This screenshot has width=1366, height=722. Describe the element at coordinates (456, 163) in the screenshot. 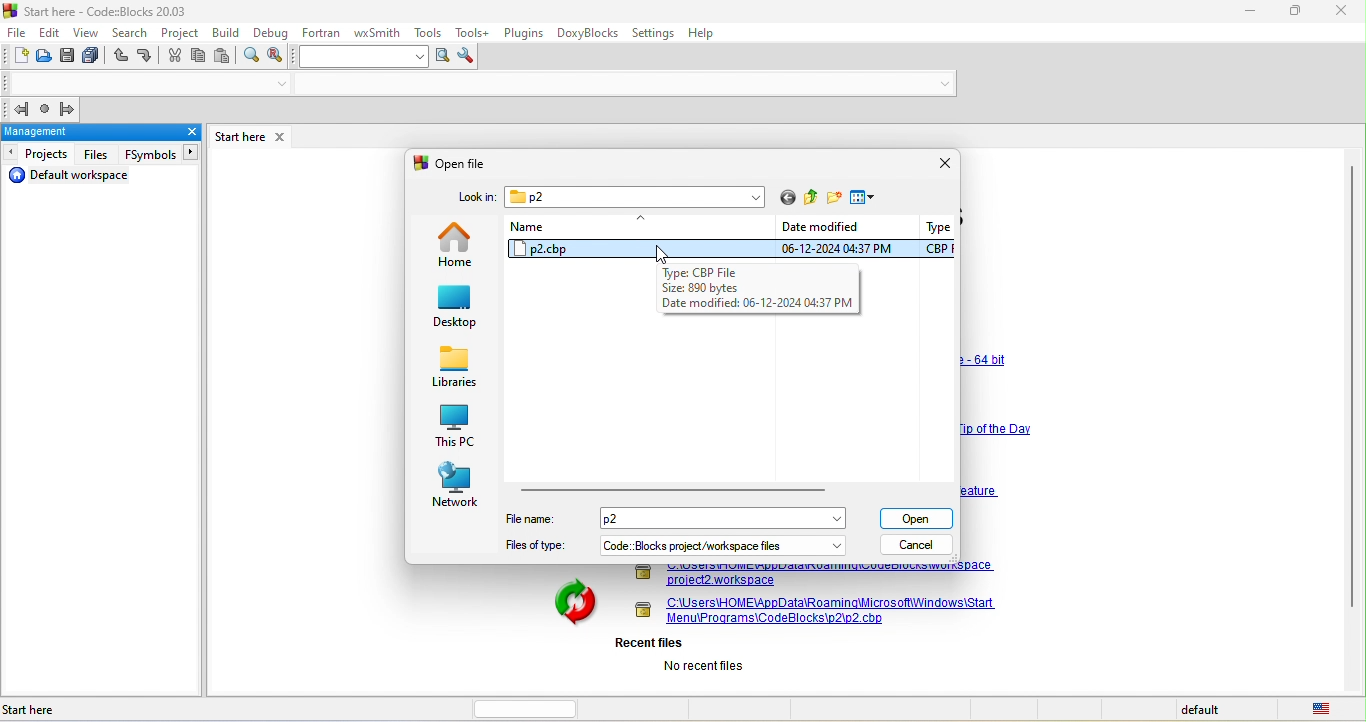

I see `open file` at that location.